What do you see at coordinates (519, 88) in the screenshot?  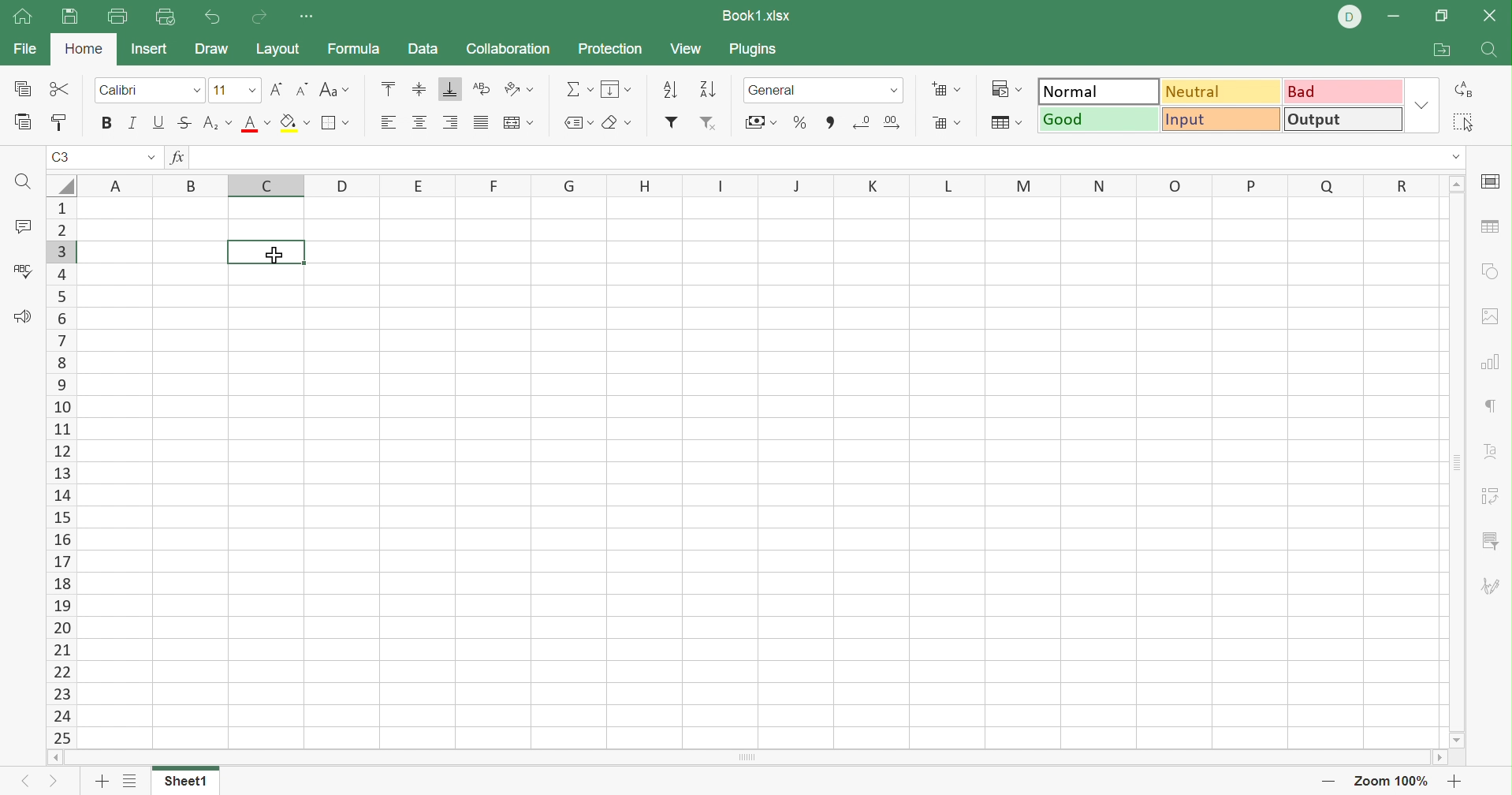 I see `Orientation` at bounding box center [519, 88].